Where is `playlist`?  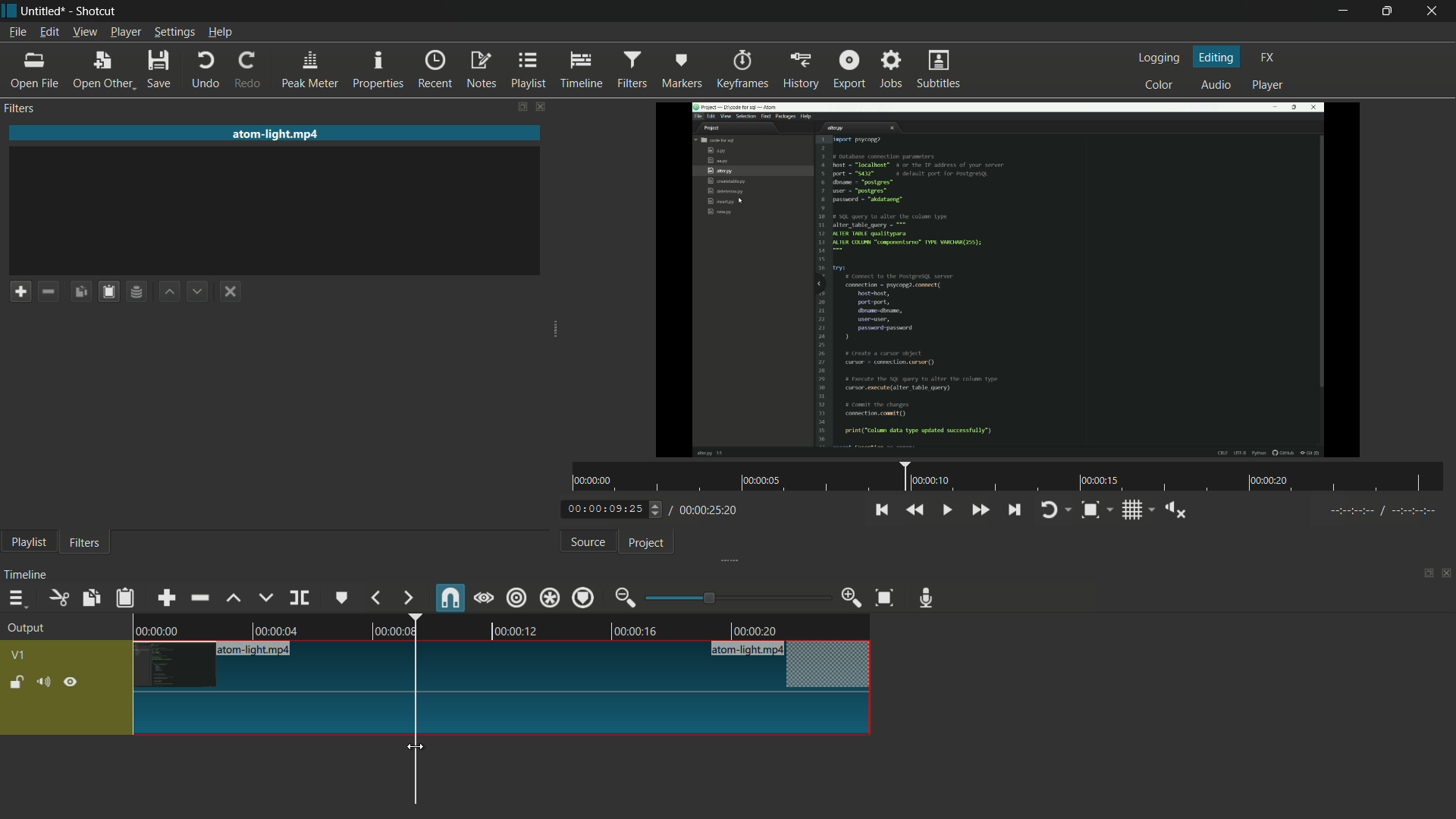
playlist is located at coordinates (28, 544).